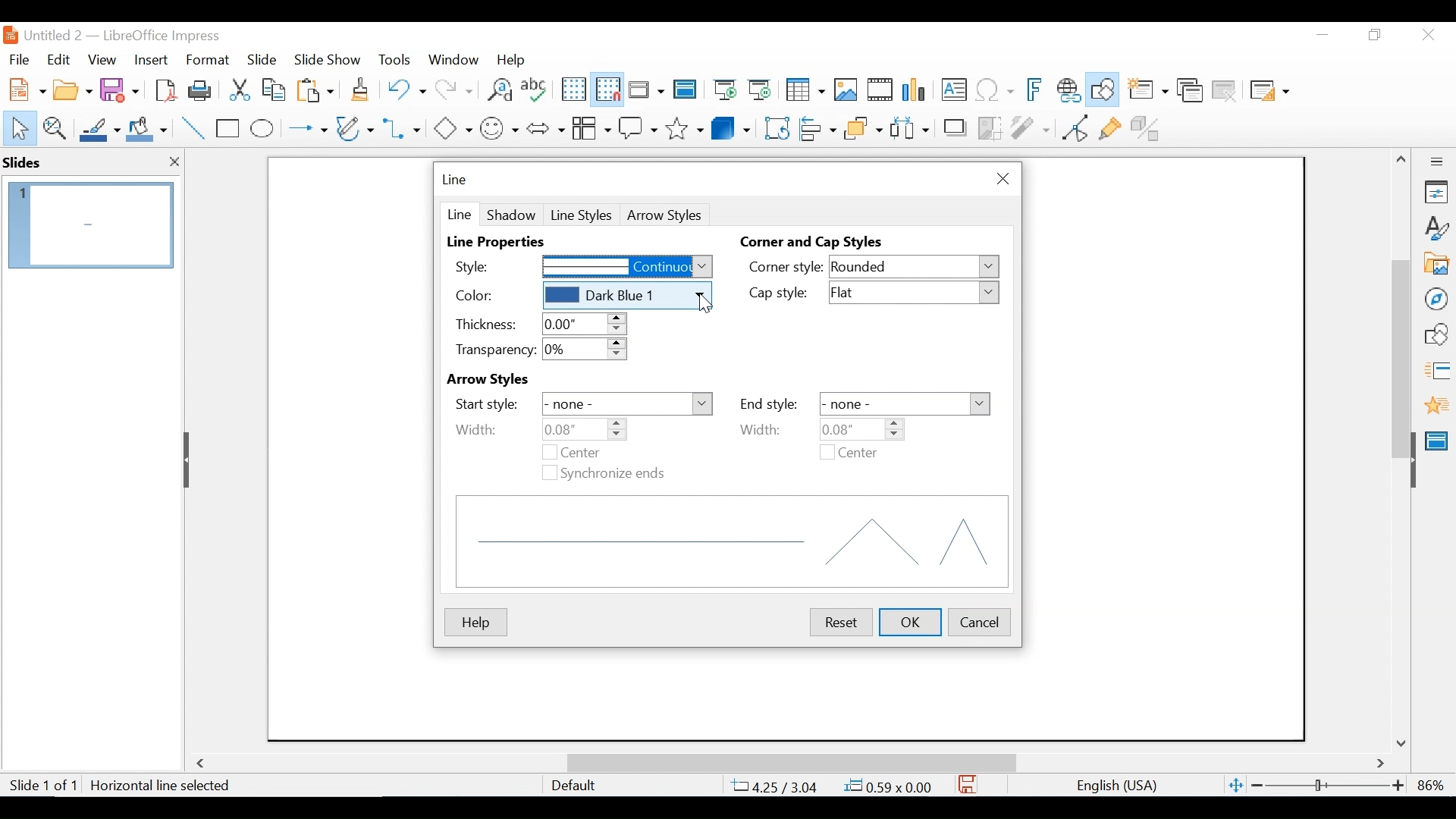 The width and height of the screenshot is (1456, 819). What do you see at coordinates (833, 786) in the screenshot?
I see `4.25/3.04   0.59x0.00` at bounding box center [833, 786].